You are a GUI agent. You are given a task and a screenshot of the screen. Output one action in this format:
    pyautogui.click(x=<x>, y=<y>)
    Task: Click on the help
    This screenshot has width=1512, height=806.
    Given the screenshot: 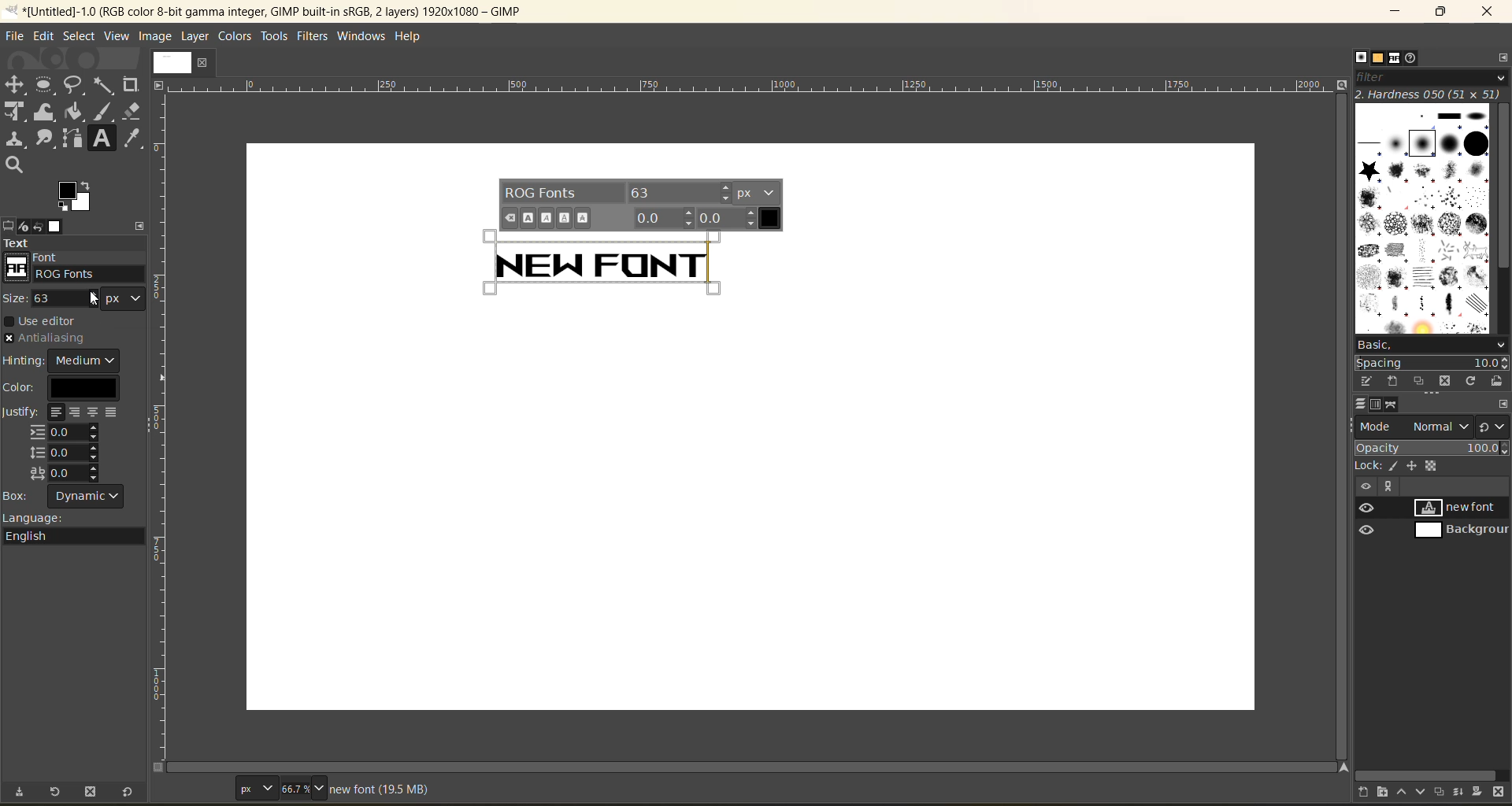 What is the action you would take?
    pyautogui.click(x=413, y=37)
    